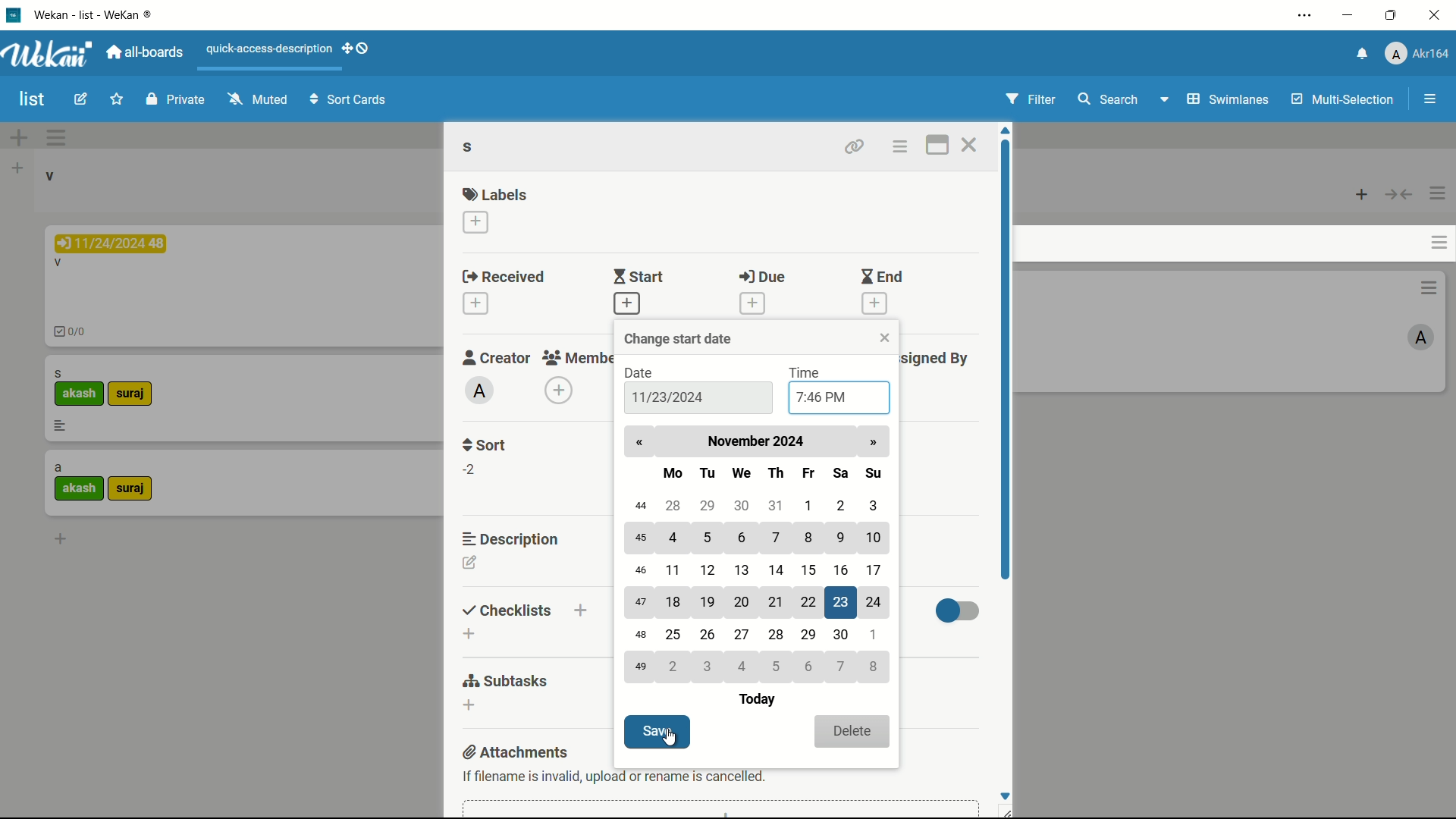 This screenshot has height=819, width=1456. What do you see at coordinates (613, 776) in the screenshot?
I see `text` at bounding box center [613, 776].